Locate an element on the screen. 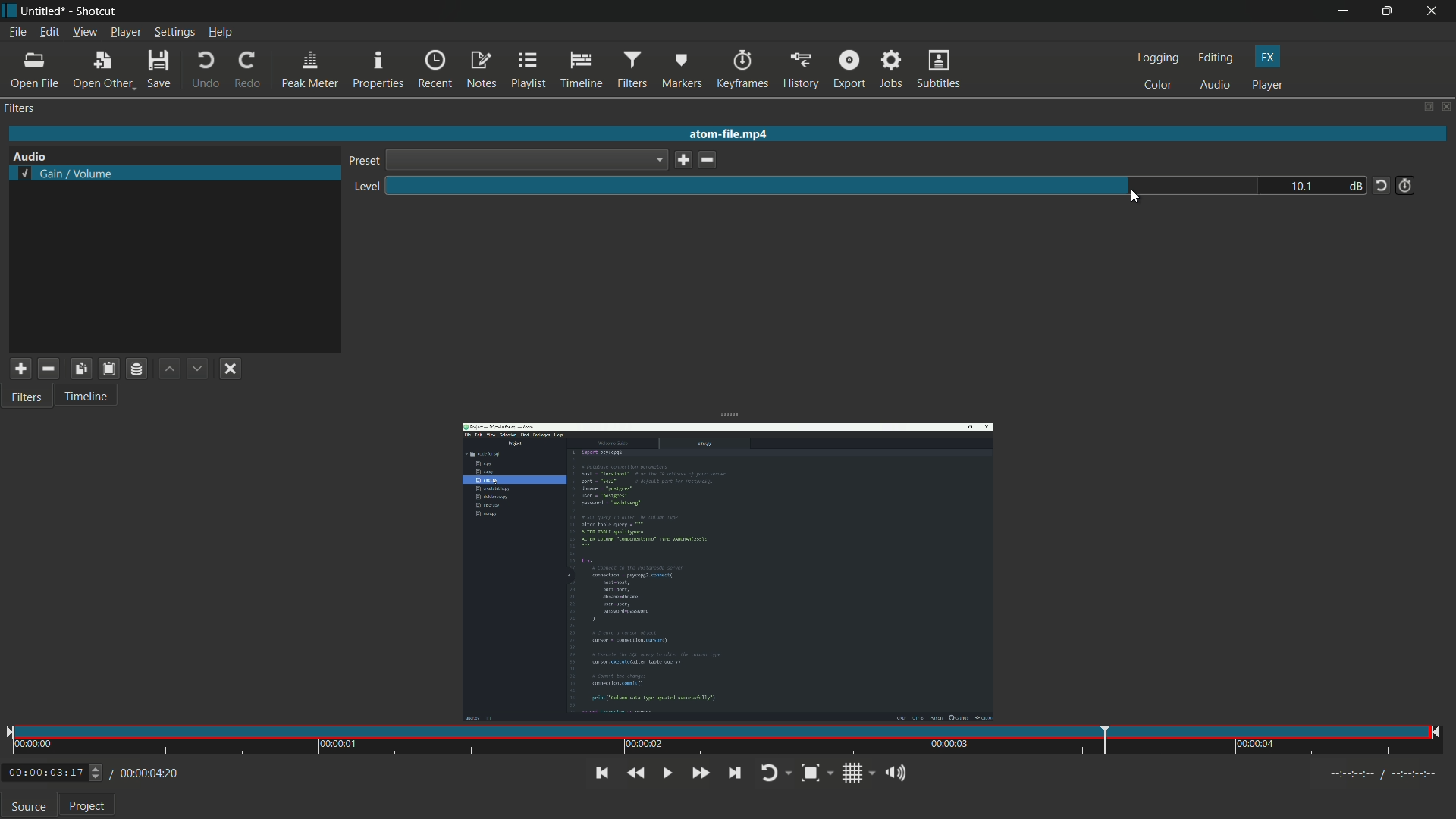 The height and width of the screenshot is (819, 1456). Filters is located at coordinates (29, 399).